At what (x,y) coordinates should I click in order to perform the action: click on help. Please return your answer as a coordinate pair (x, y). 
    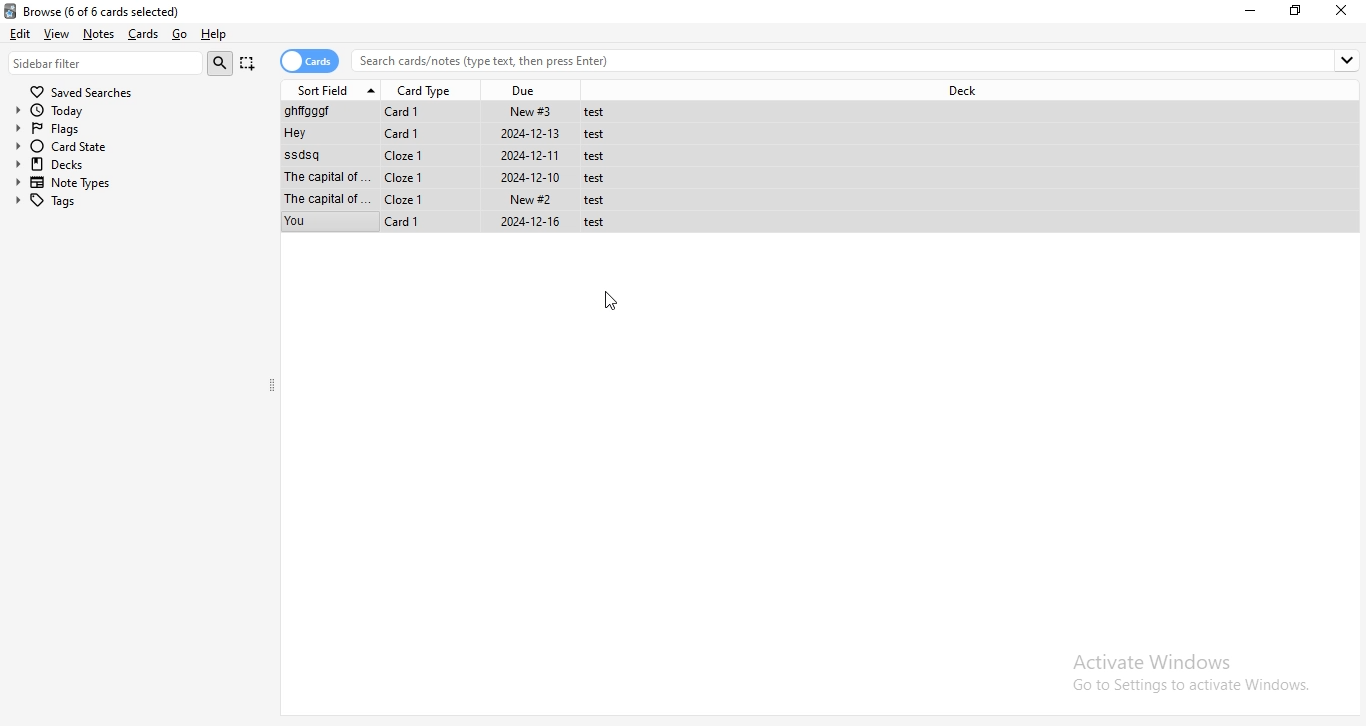
    Looking at the image, I should click on (219, 36).